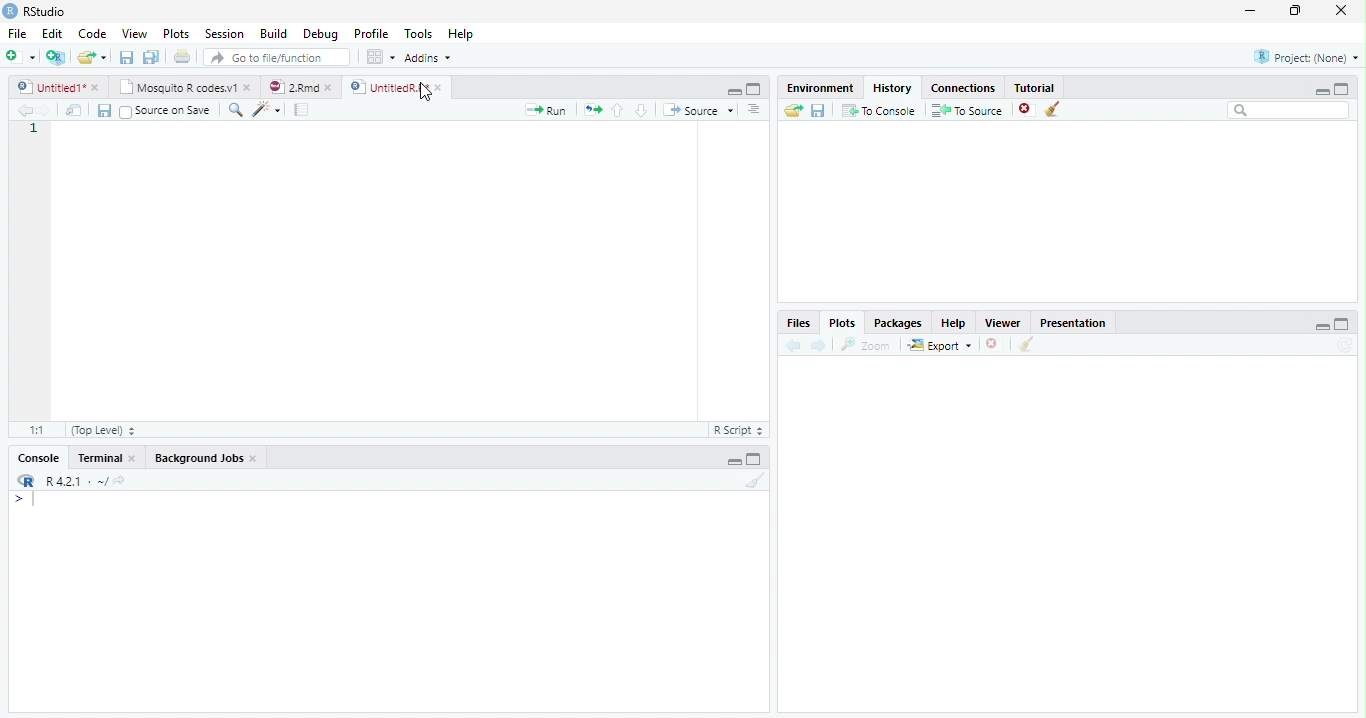 The width and height of the screenshot is (1366, 718). Describe the element at coordinates (34, 131) in the screenshot. I see `1` at that location.